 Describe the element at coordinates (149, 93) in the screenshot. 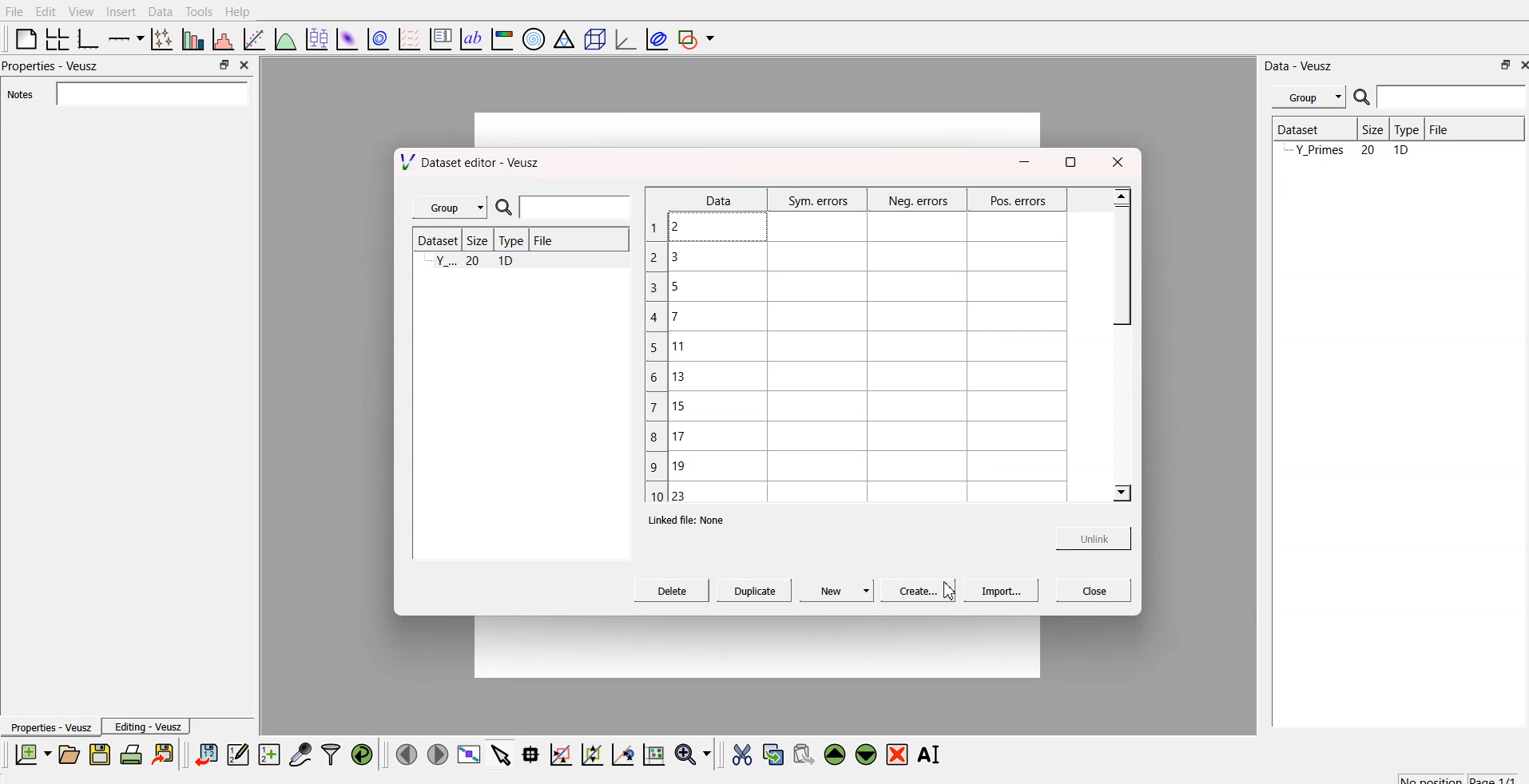

I see `search bar` at that location.